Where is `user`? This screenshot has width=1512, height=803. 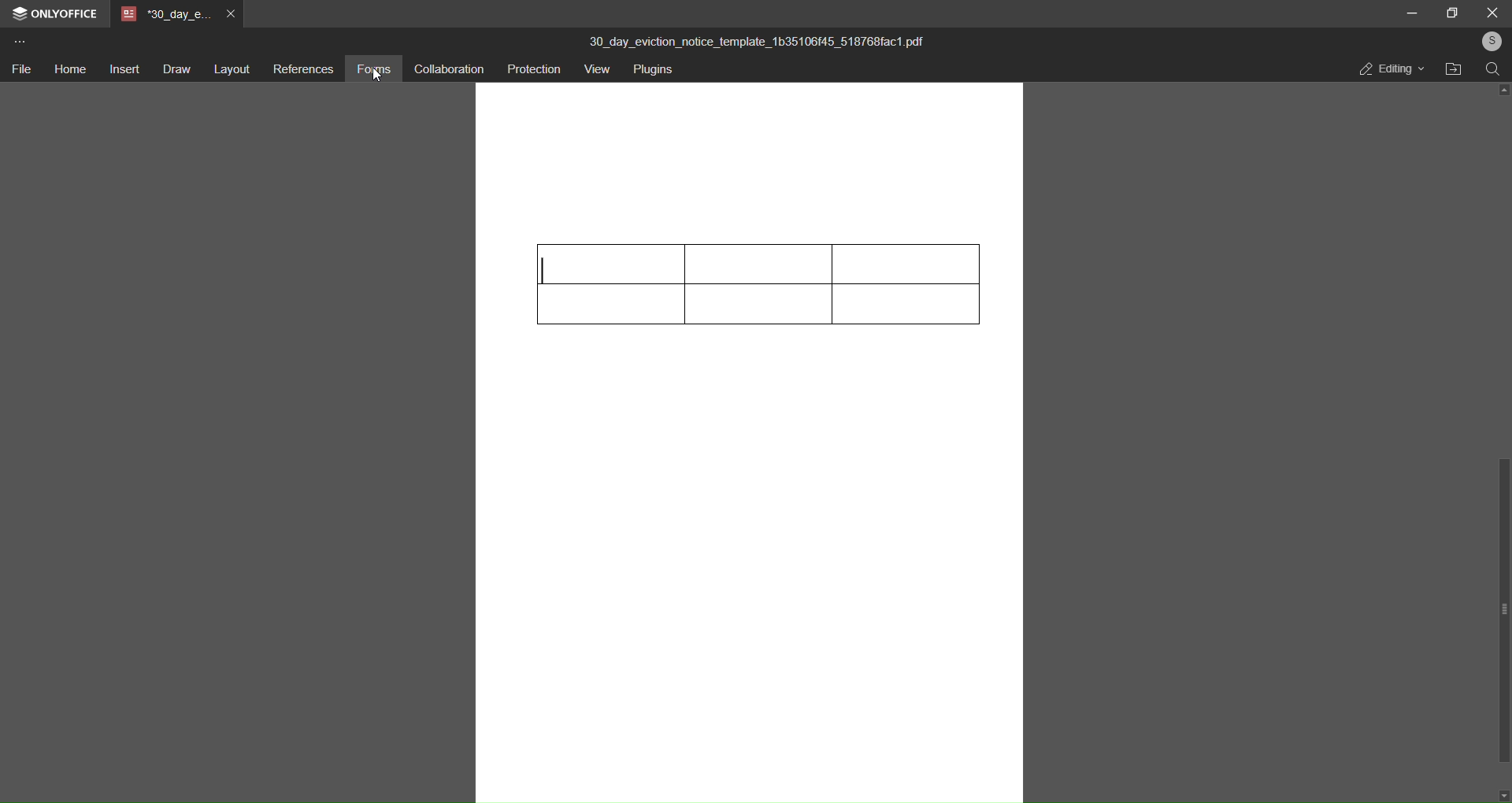
user is located at coordinates (1489, 41).